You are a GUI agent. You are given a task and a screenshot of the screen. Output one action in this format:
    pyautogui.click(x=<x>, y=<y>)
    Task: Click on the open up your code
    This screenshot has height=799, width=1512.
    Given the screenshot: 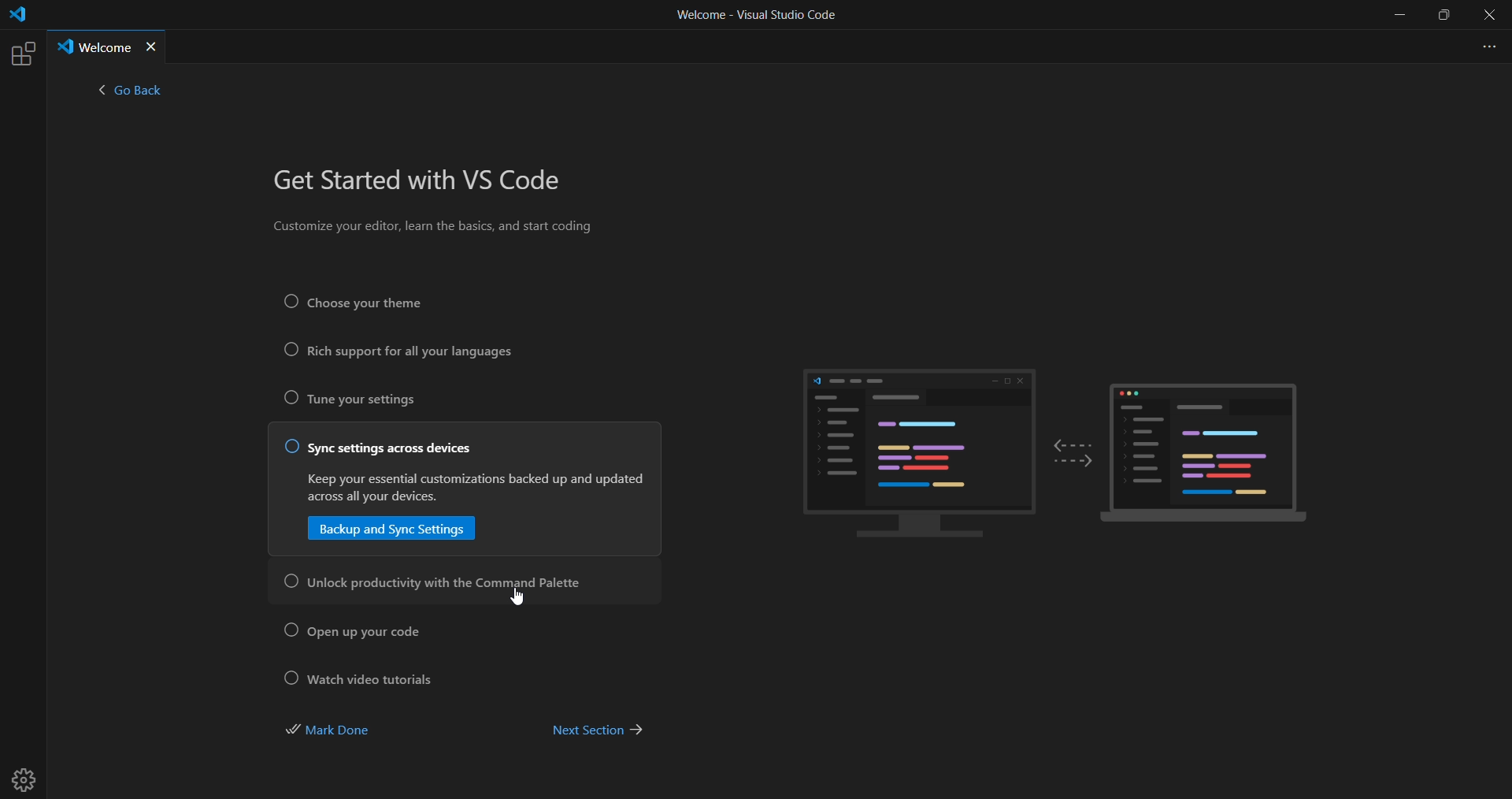 What is the action you would take?
    pyautogui.click(x=363, y=630)
    